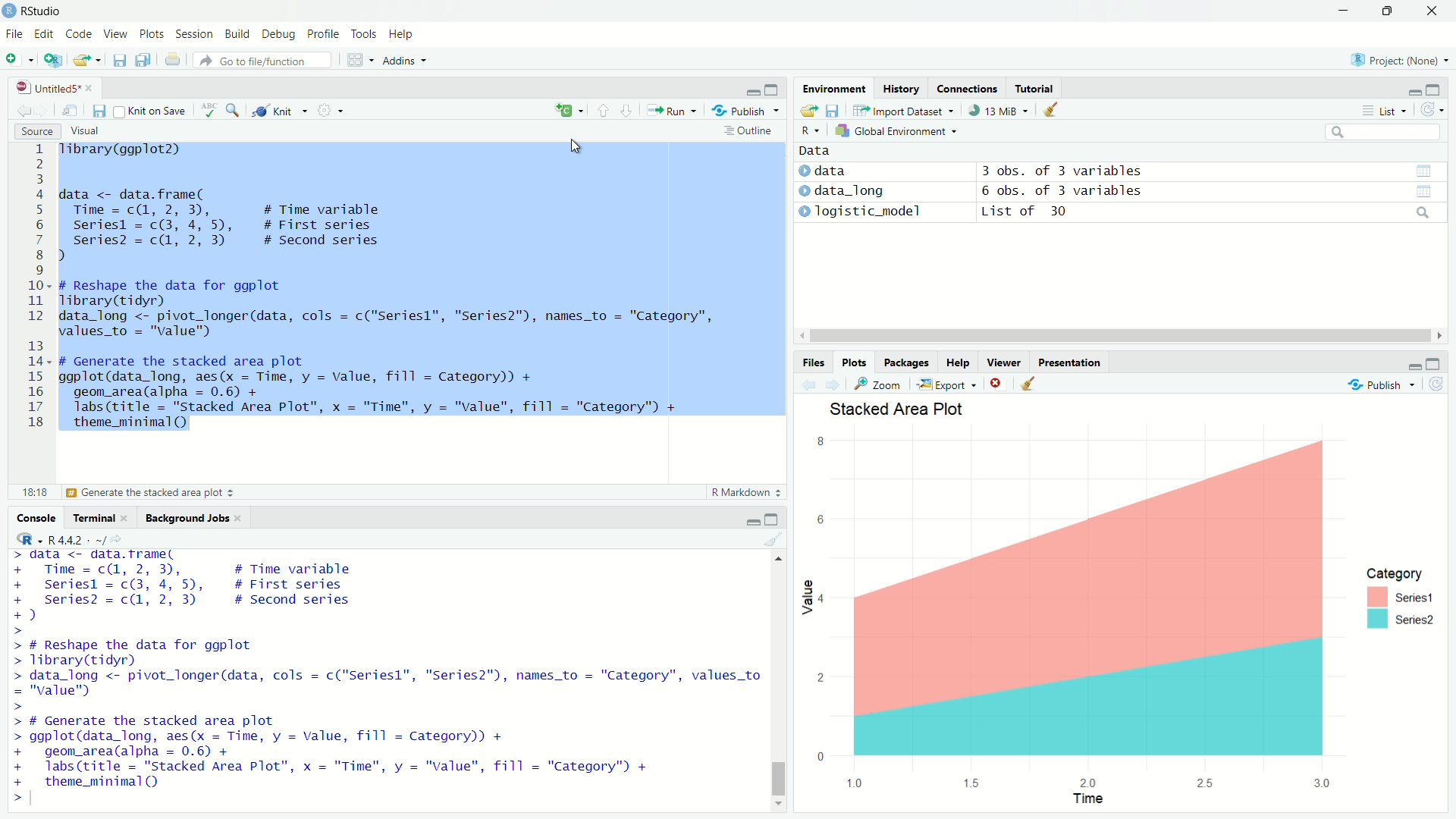 This screenshot has width=1456, height=819. Describe the element at coordinates (899, 86) in the screenshot. I see `History` at that location.